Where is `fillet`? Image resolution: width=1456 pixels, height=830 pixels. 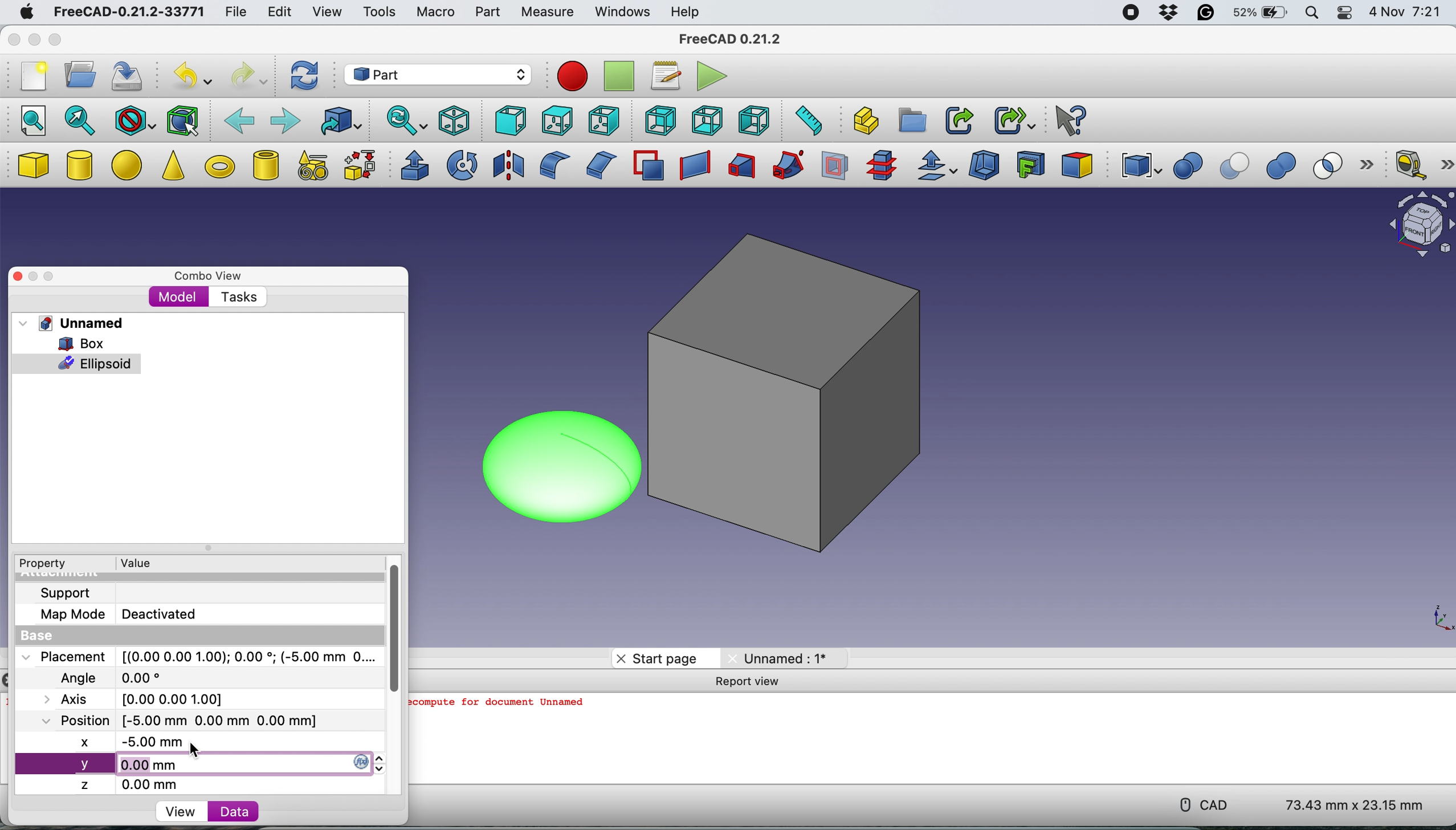
fillet is located at coordinates (550, 165).